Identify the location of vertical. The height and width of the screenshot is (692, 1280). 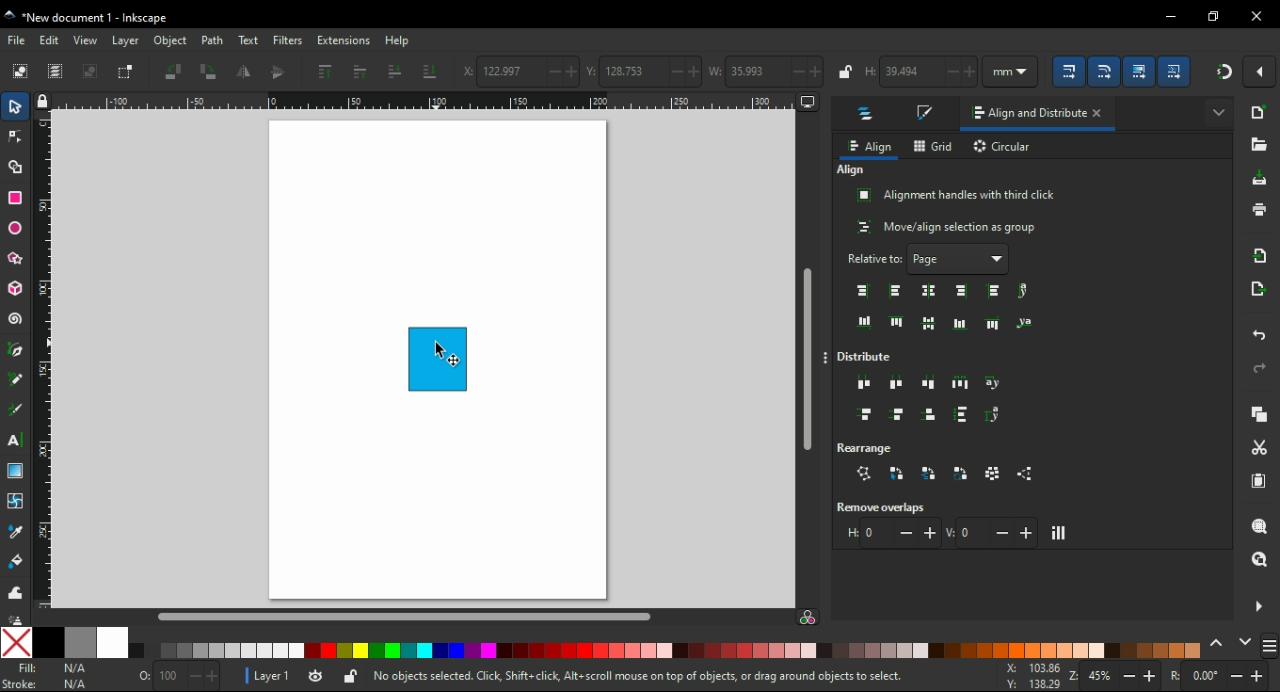
(991, 532).